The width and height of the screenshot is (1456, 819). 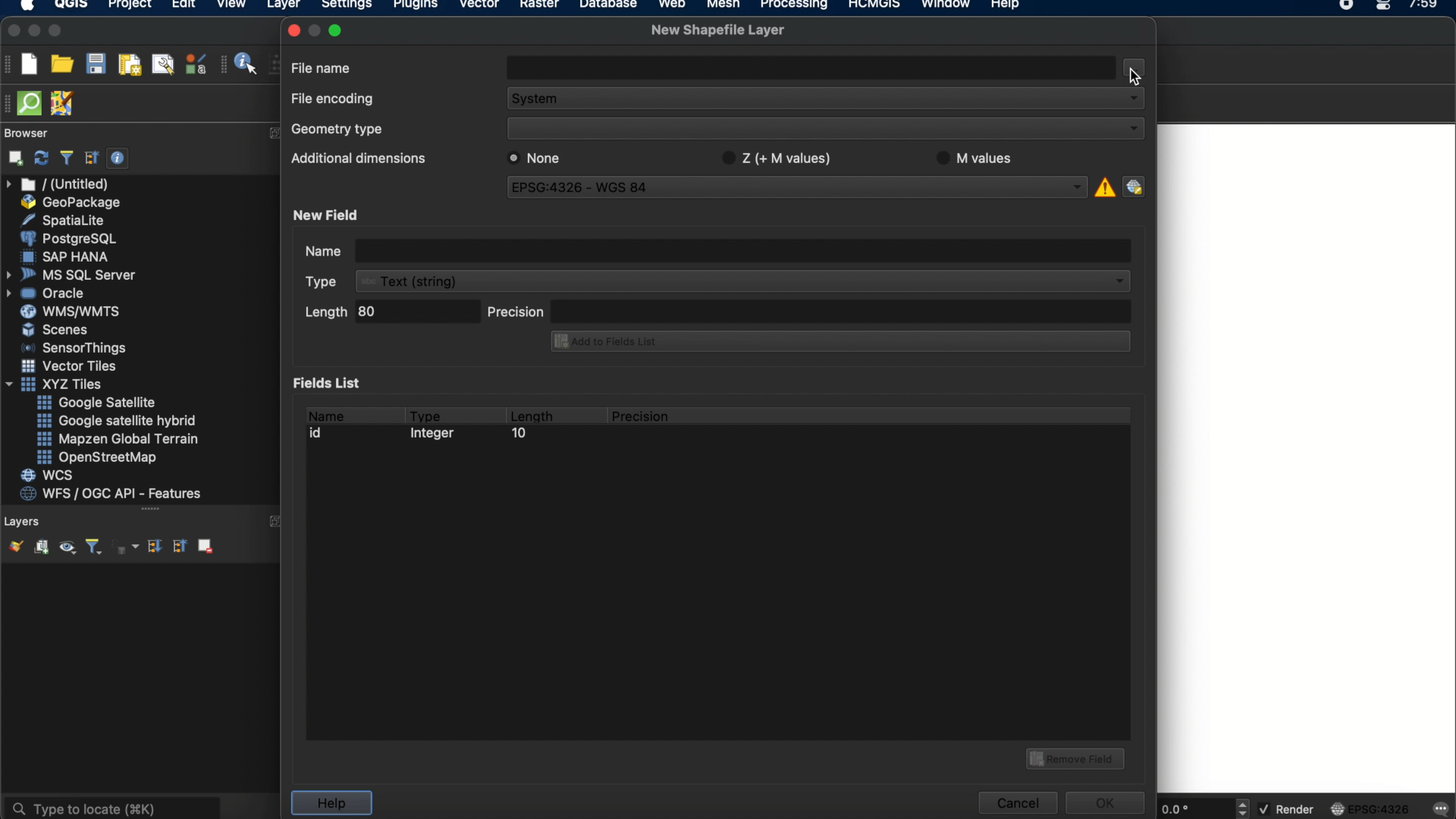 What do you see at coordinates (812, 66) in the screenshot?
I see `file name text box` at bounding box center [812, 66].